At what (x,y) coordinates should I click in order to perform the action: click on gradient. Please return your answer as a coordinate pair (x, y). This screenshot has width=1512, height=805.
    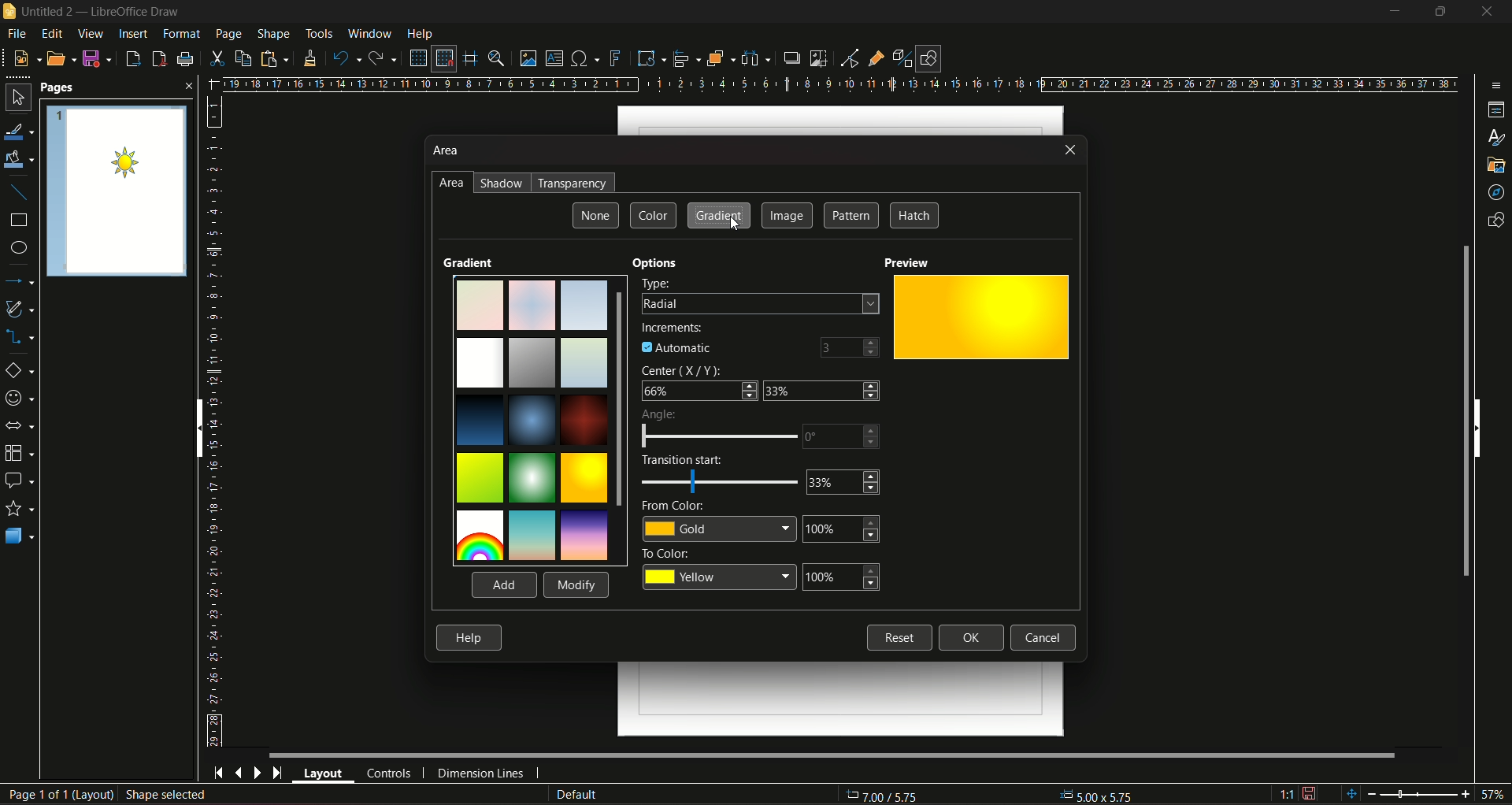
    Looking at the image, I should click on (469, 262).